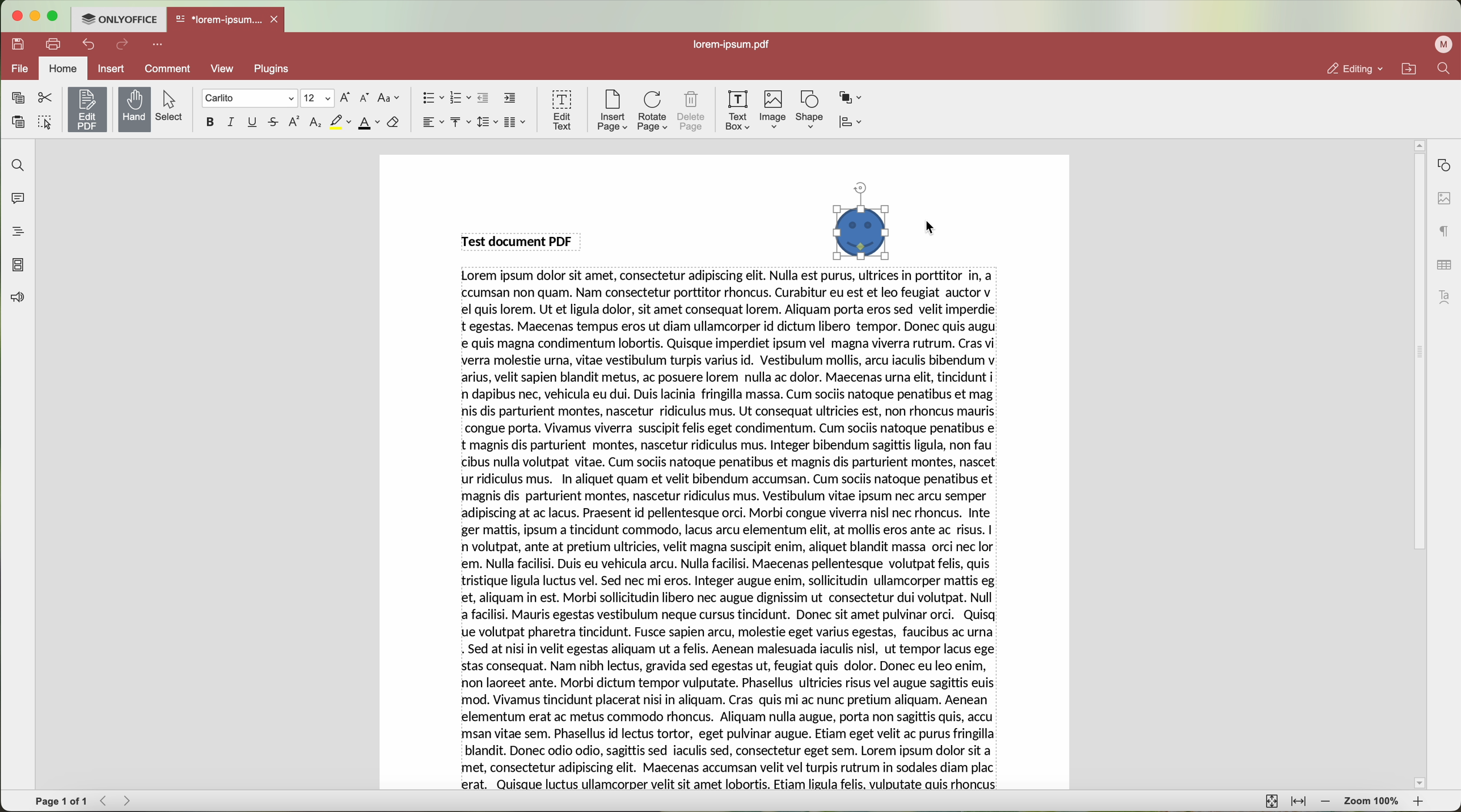  Describe the element at coordinates (1355, 69) in the screenshot. I see `editing` at that location.